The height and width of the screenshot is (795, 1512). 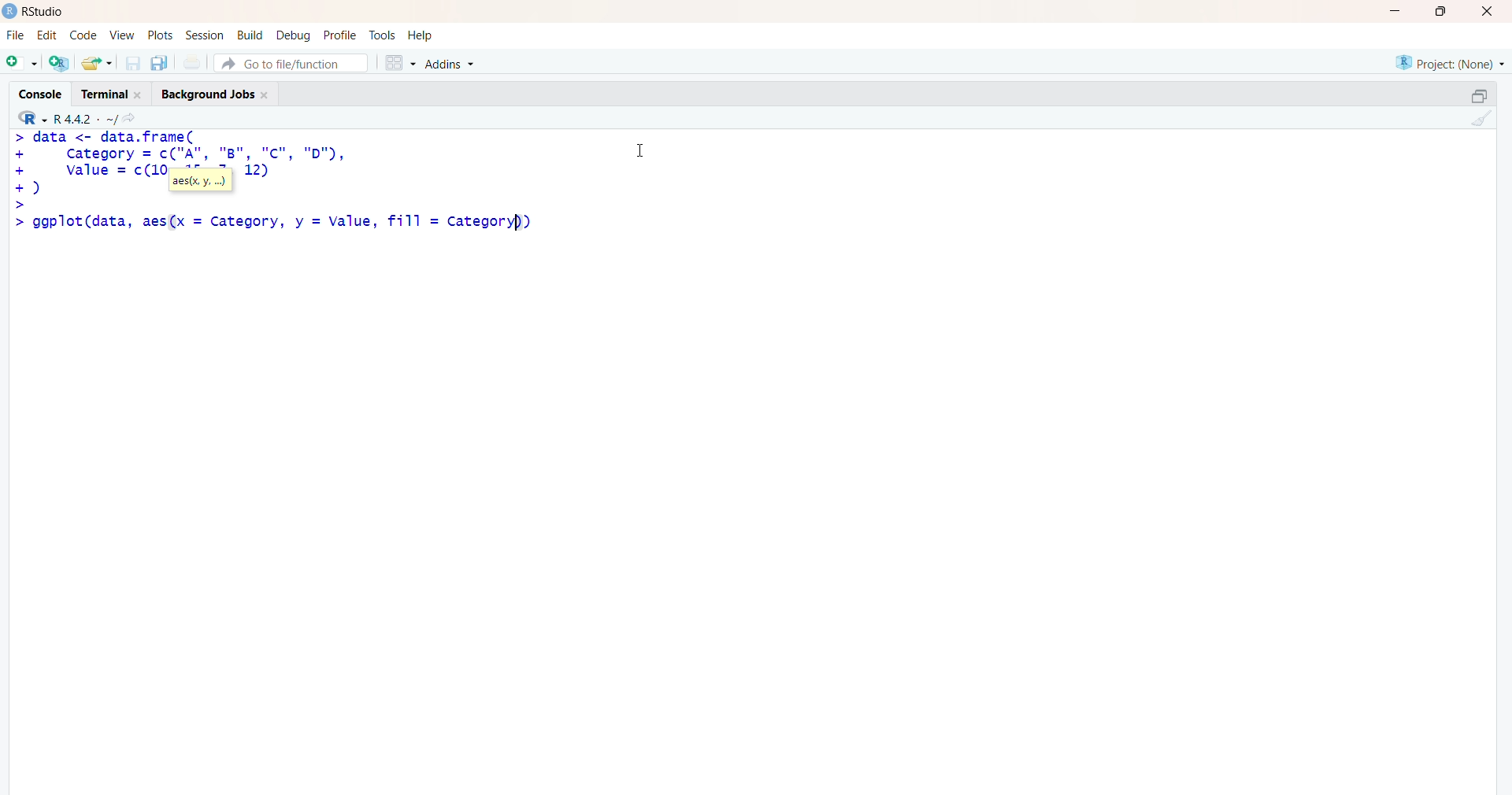 I want to click on save current document, so click(x=132, y=63).